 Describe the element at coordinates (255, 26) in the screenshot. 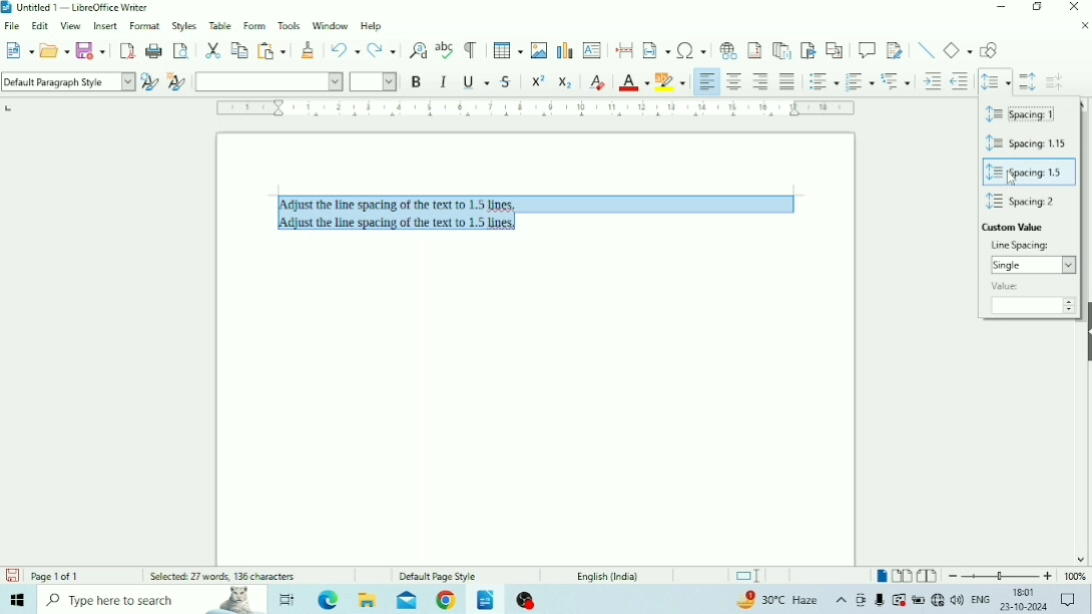

I see `Form` at that location.